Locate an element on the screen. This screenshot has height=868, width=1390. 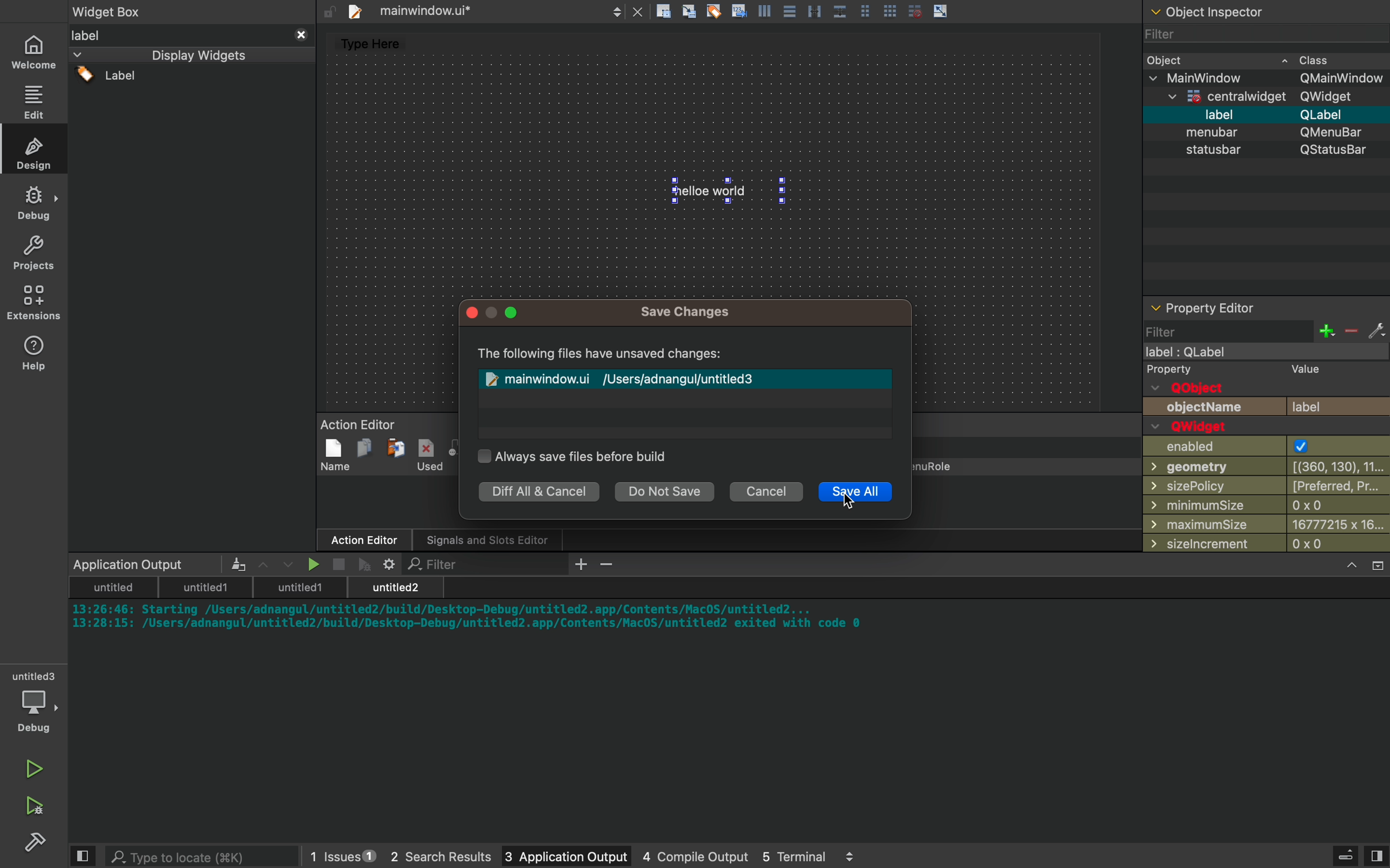
debug and run is located at coordinates (34, 805).